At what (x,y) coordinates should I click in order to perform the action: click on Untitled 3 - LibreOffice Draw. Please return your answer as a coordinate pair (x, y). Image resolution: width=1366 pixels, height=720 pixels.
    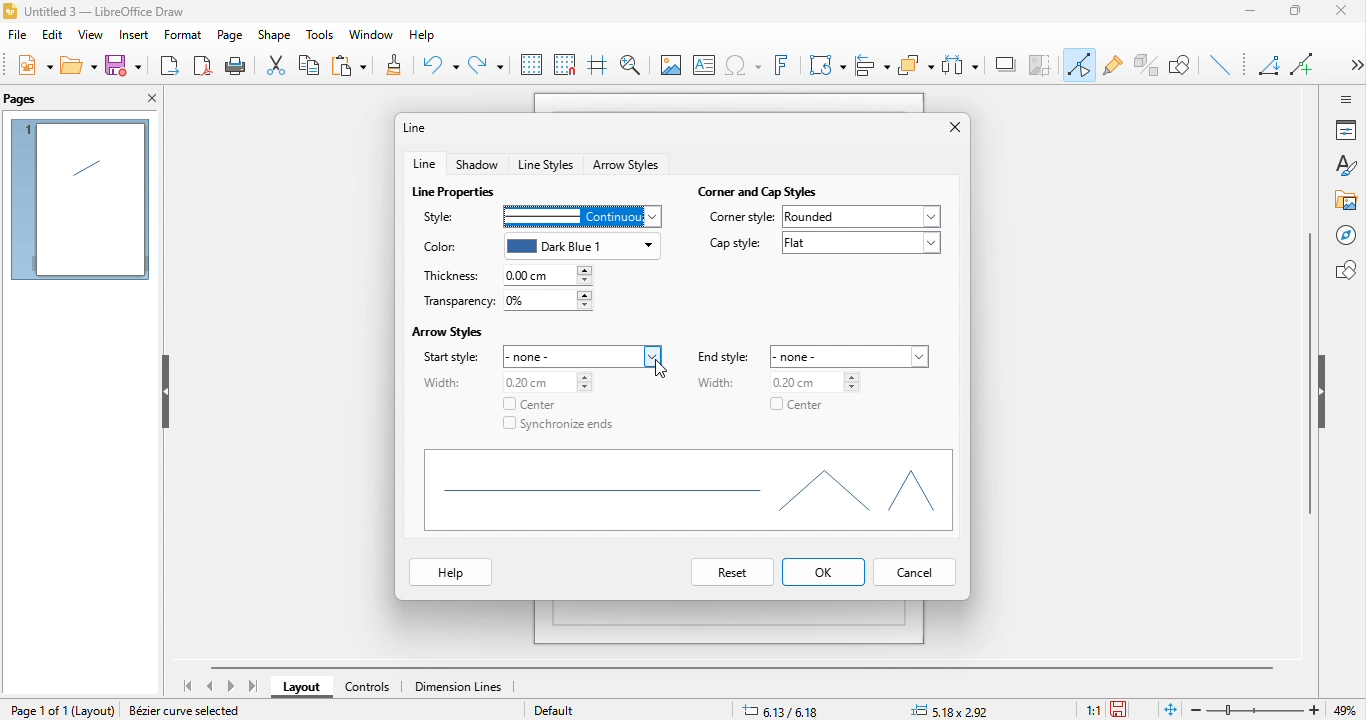
    Looking at the image, I should click on (96, 10).